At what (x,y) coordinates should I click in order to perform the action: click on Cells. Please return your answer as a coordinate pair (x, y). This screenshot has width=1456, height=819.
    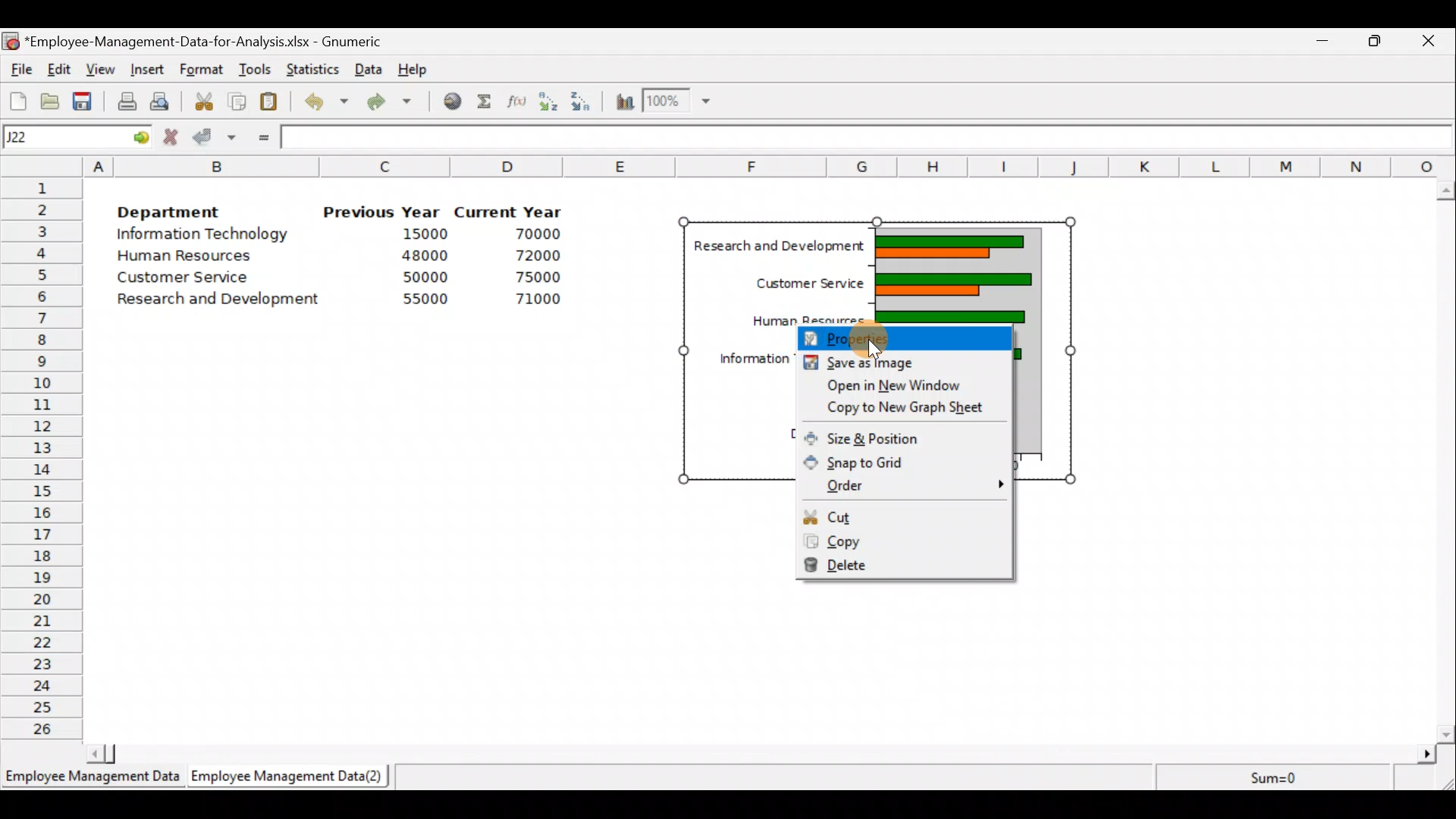
    Looking at the image, I should click on (766, 658).